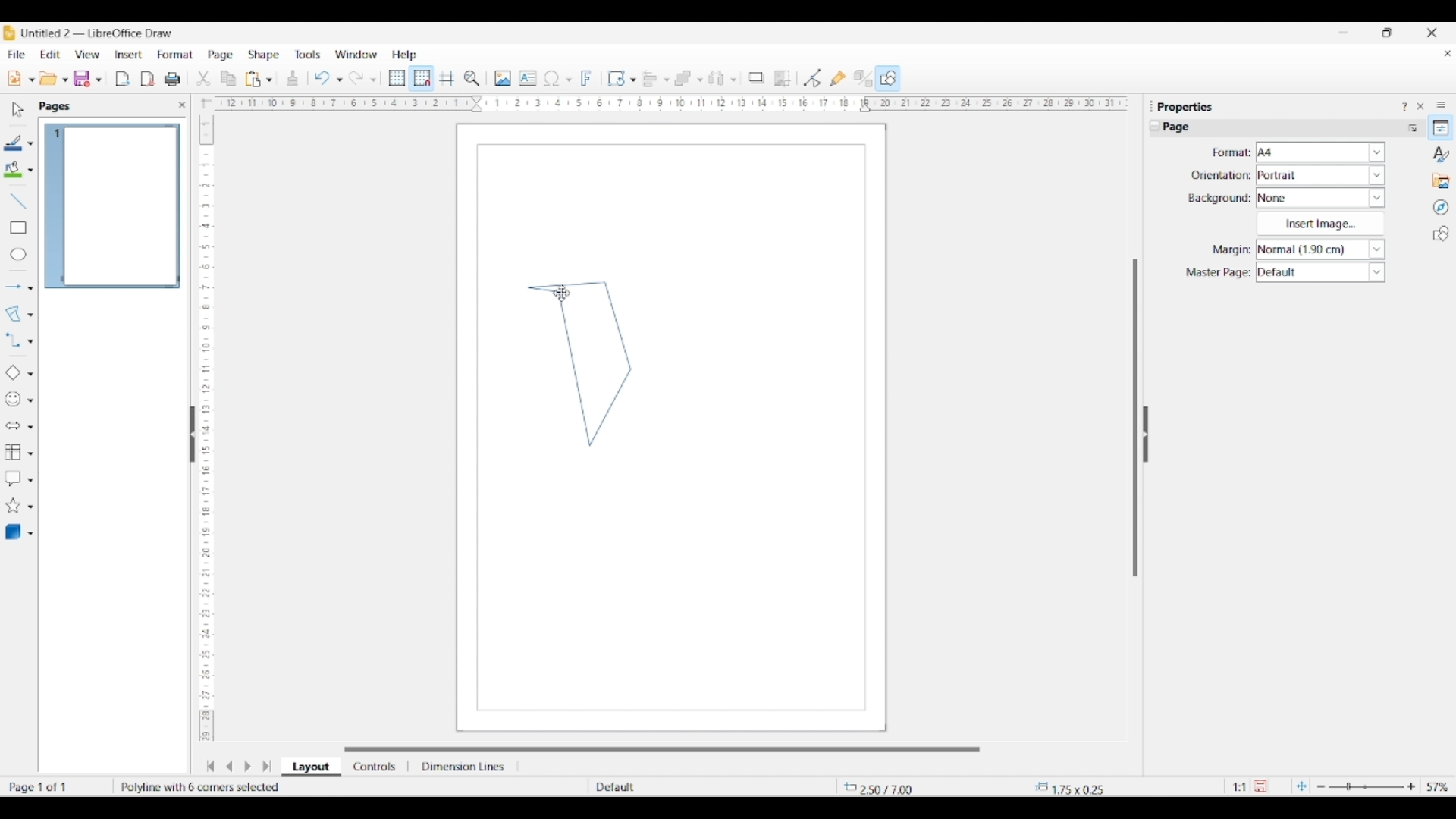  What do you see at coordinates (14, 287) in the screenshot?
I see `Selected arrow` at bounding box center [14, 287].